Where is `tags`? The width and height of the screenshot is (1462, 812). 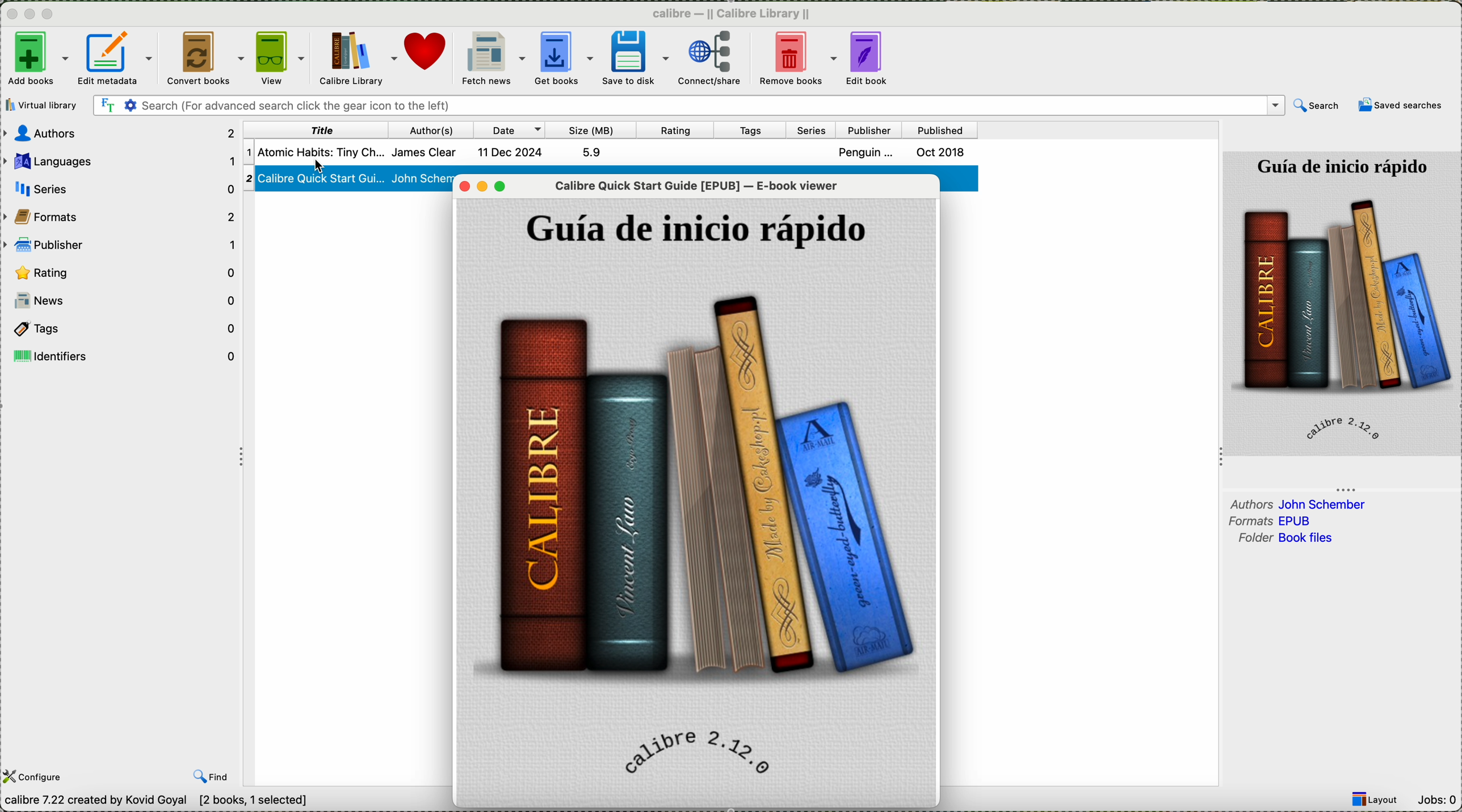 tags is located at coordinates (751, 131).